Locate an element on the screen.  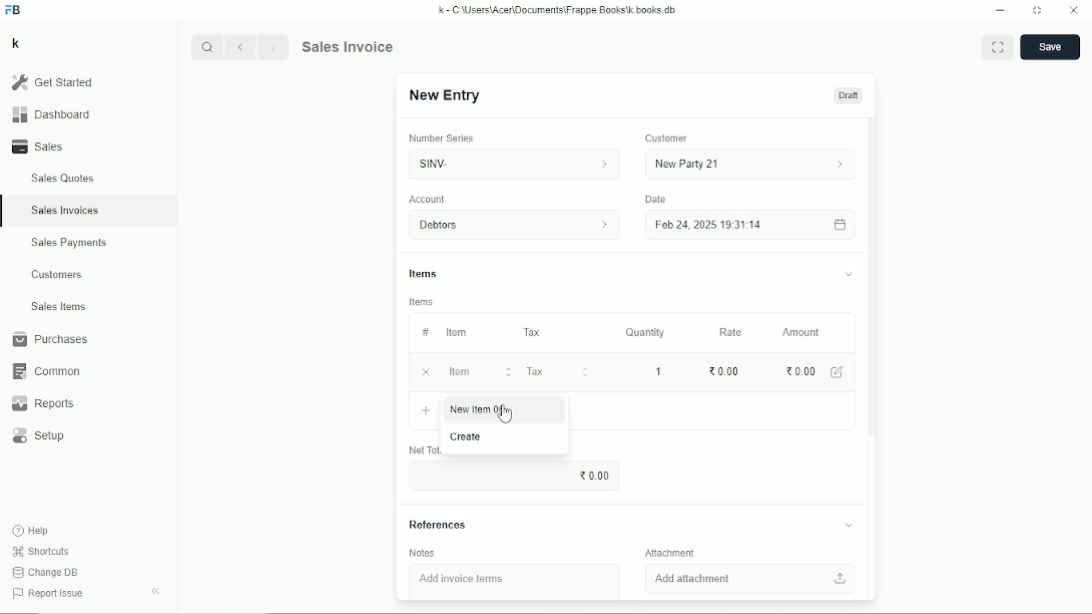
Items is located at coordinates (422, 302).